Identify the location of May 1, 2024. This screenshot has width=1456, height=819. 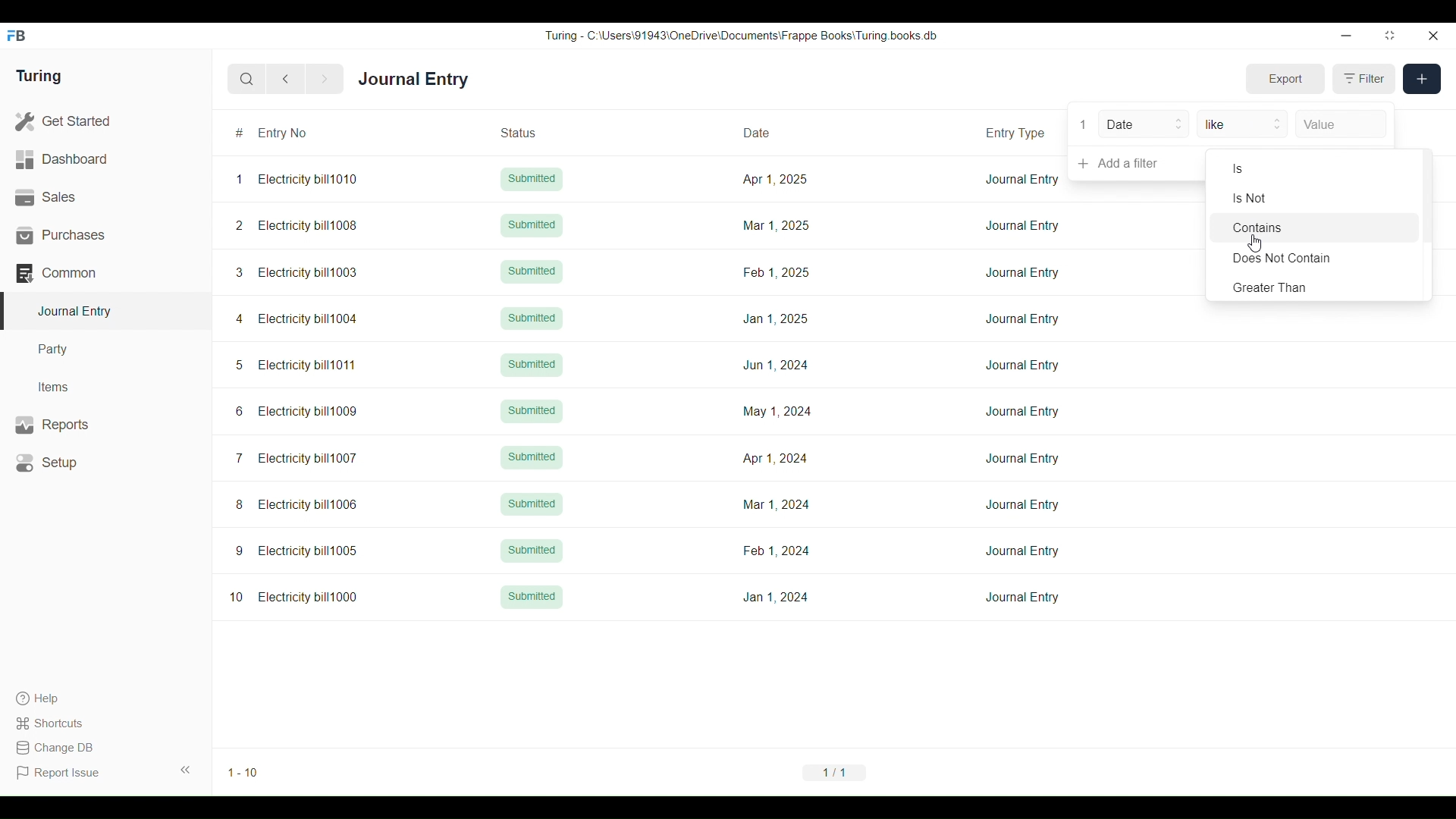
(777, 410).